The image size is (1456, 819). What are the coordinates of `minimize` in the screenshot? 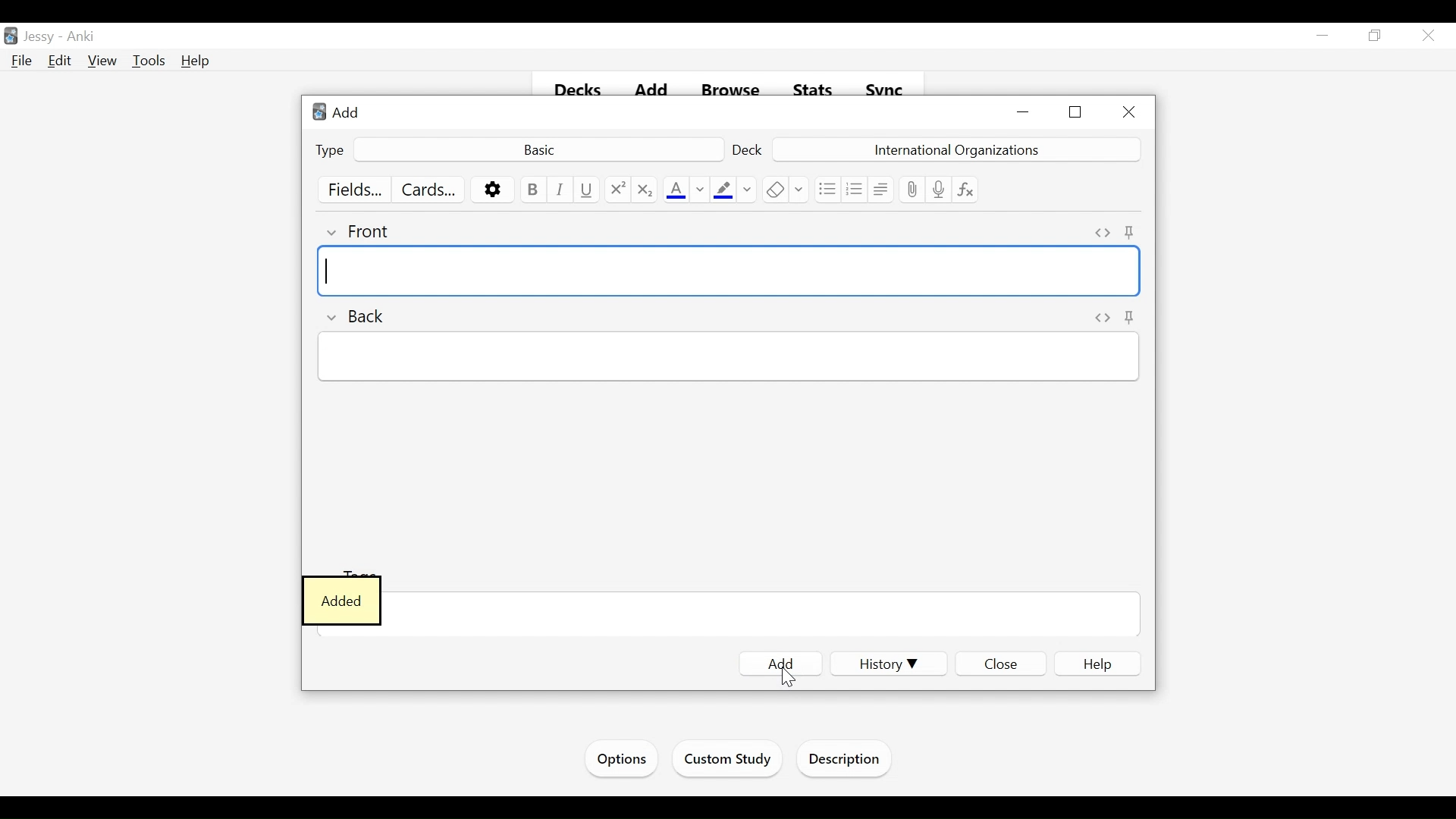 It's located at (1323, 36).